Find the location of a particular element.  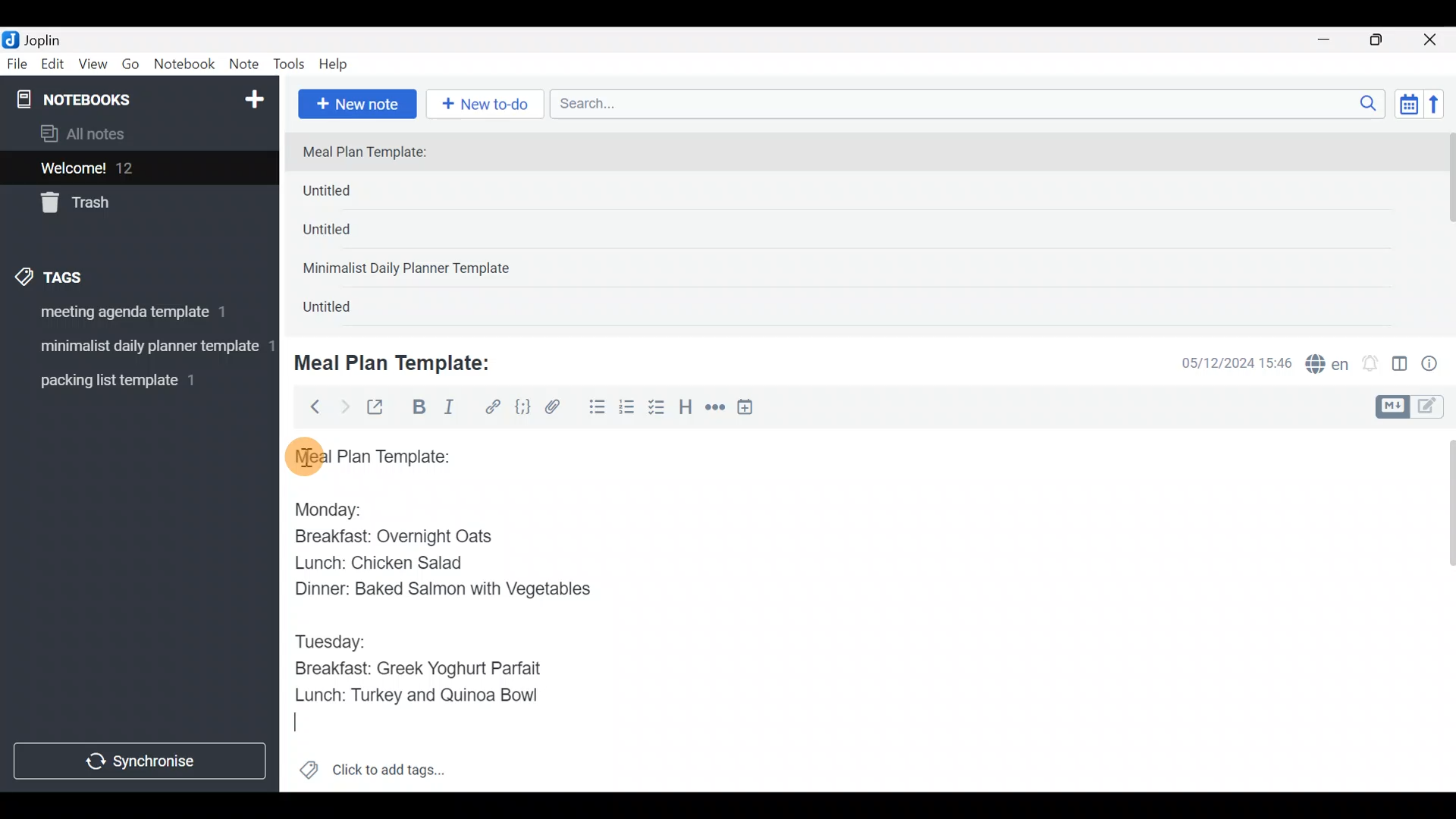

View is located at coordinates (93, 67).